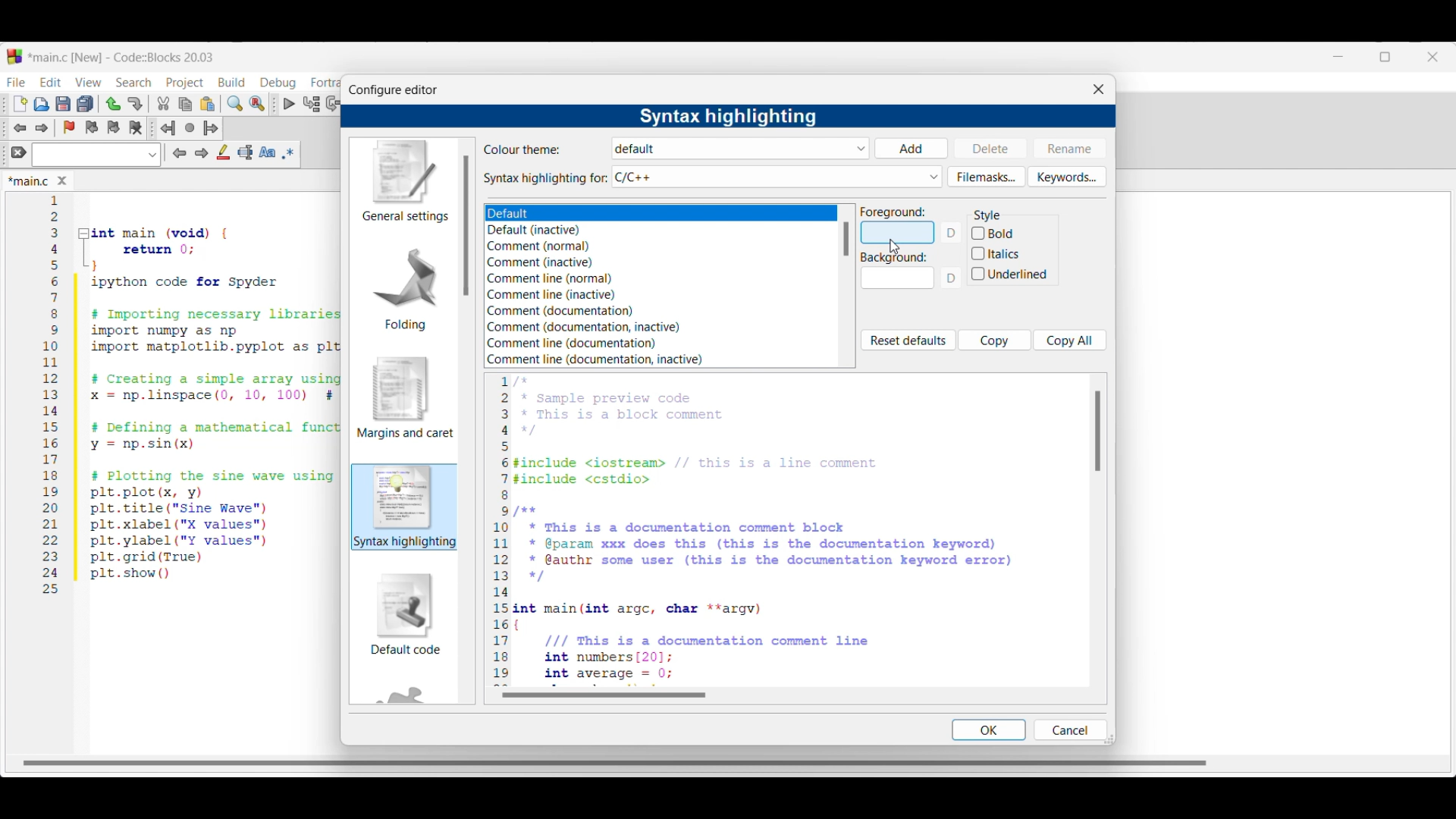 This screenshot has height=819, width=1456. What do you see at coordinates (393, 90) in the screenshot?
I see `Window title` at bounding box center [393, 90].